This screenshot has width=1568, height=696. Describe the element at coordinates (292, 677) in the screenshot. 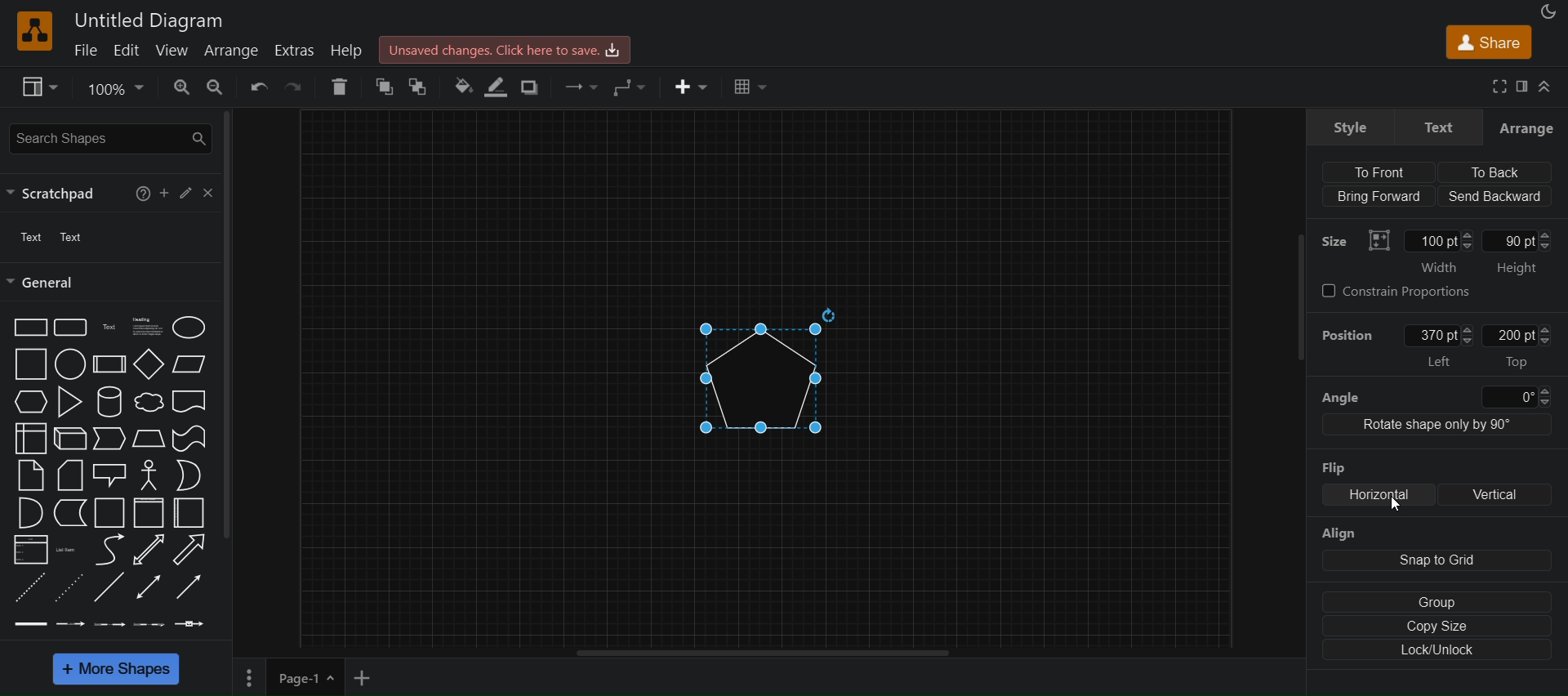

I see `Page-1, current page` at that location.